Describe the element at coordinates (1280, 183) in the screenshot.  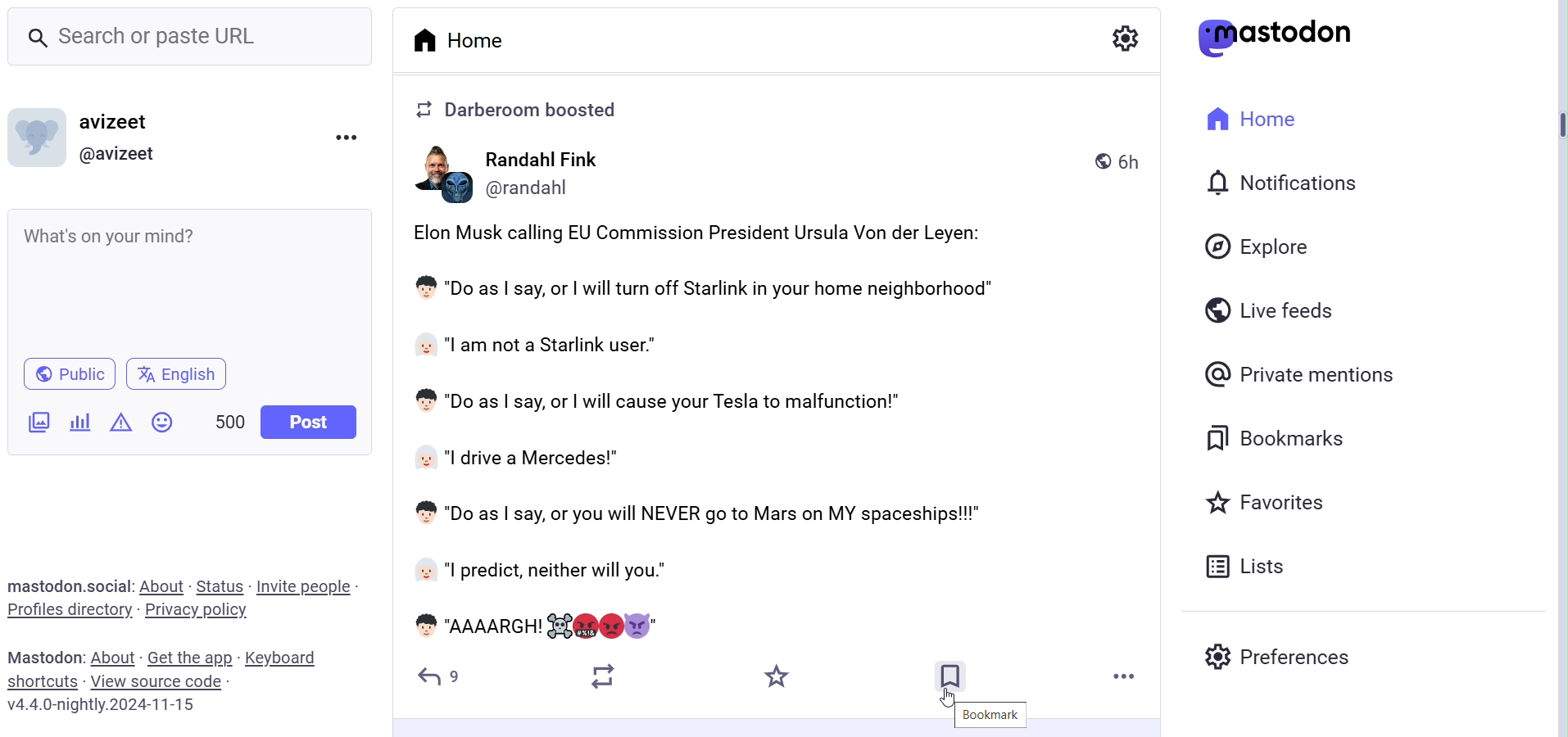
I see `Notification` at that location.